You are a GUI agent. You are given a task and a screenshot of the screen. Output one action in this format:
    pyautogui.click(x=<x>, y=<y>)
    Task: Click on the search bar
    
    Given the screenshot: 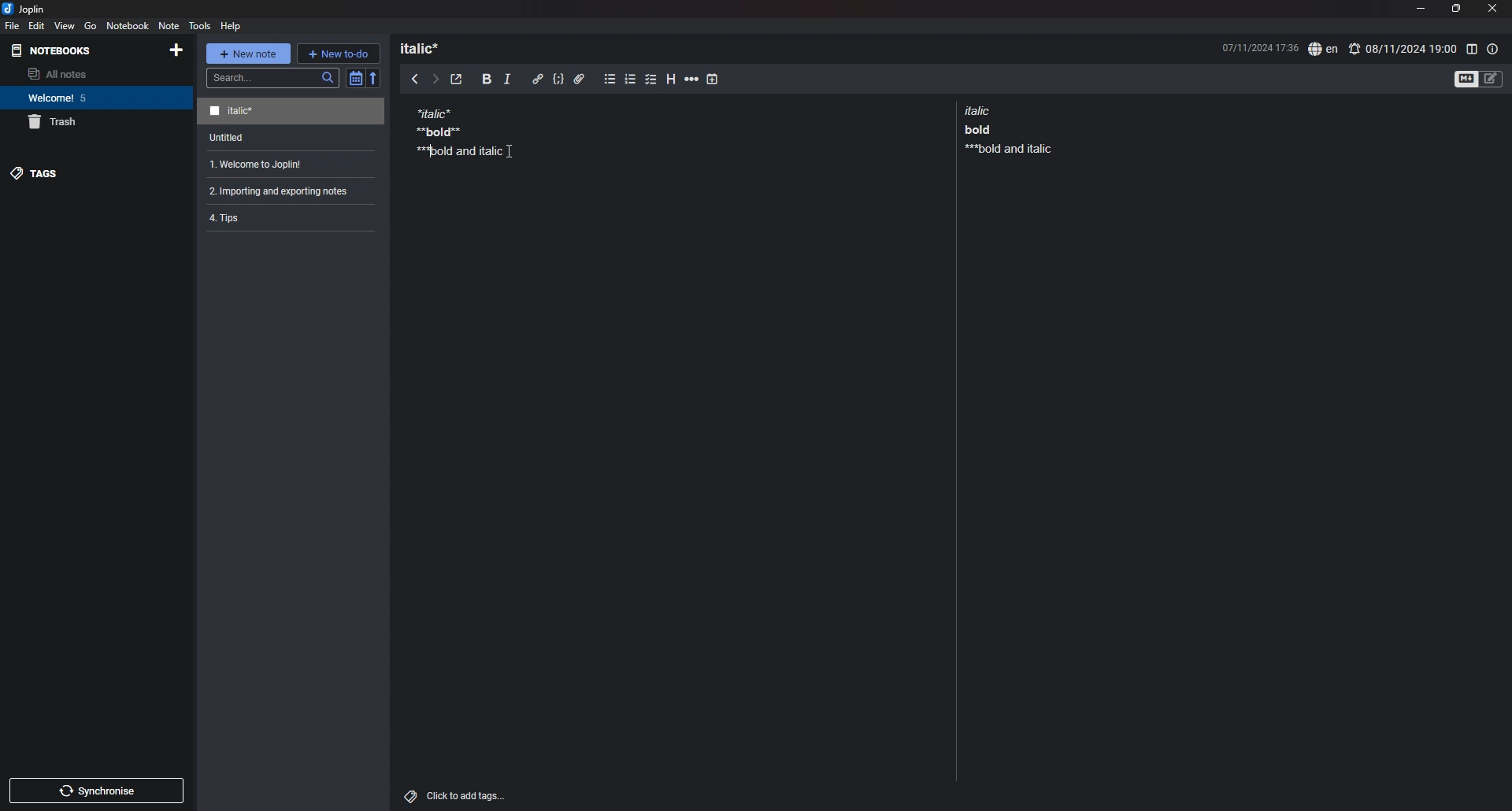 What is the action you would take?
    pyautogui.click(x=273, y=78)
    